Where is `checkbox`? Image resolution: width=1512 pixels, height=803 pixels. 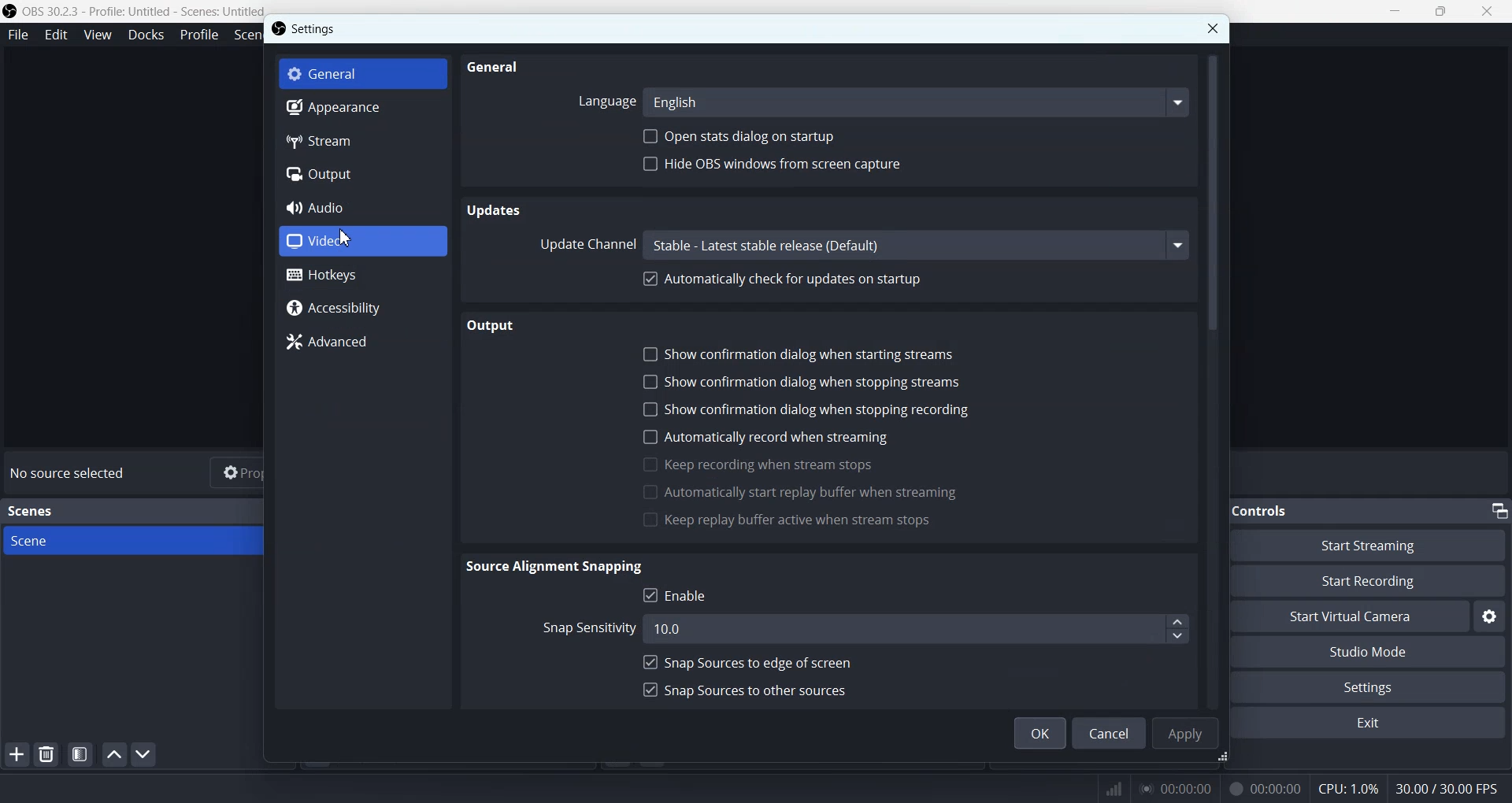
checkbox is located at coordinates (647, 380).